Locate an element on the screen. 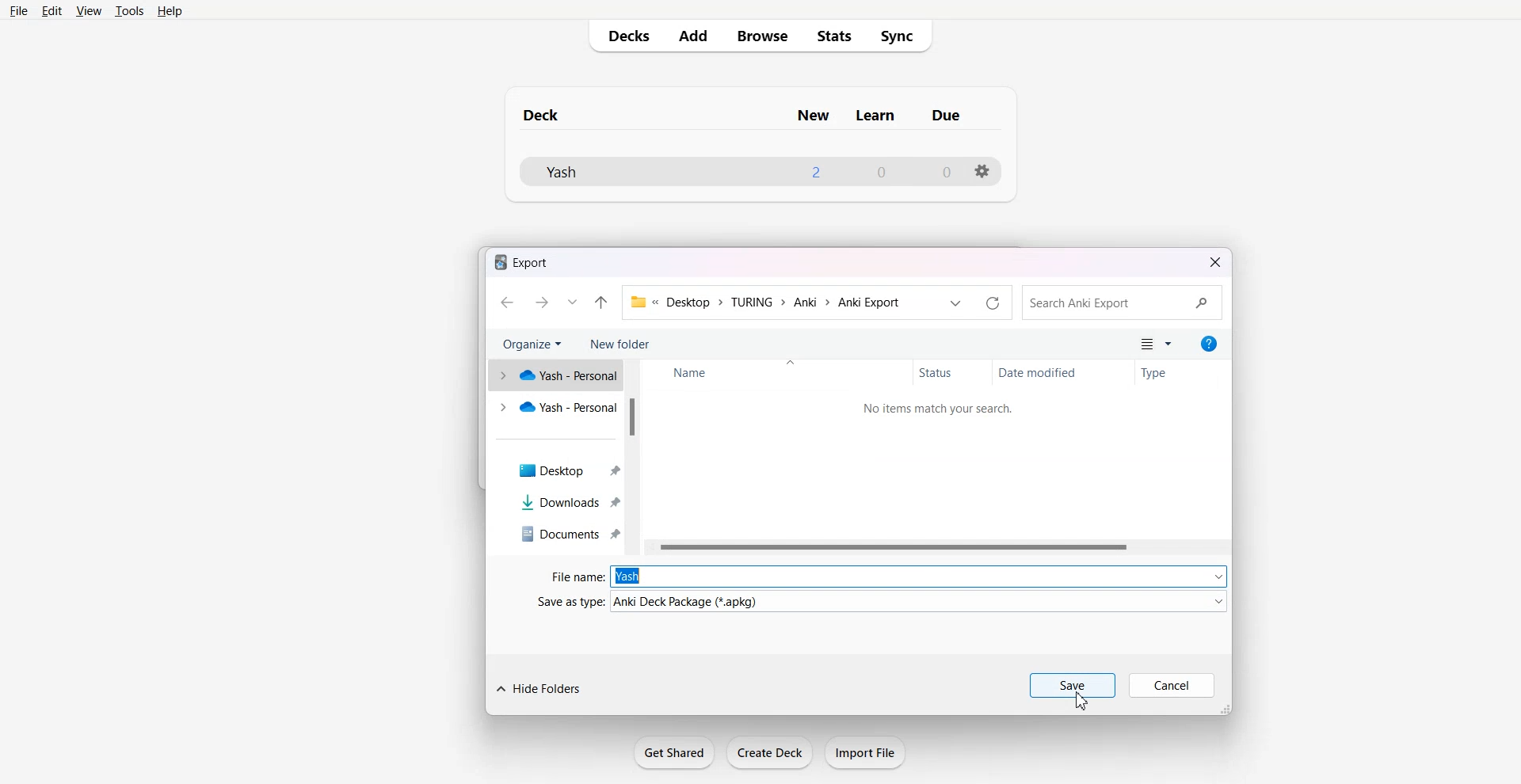 The image size is (1521, 784). Close is located at coordinates (1214, 263).